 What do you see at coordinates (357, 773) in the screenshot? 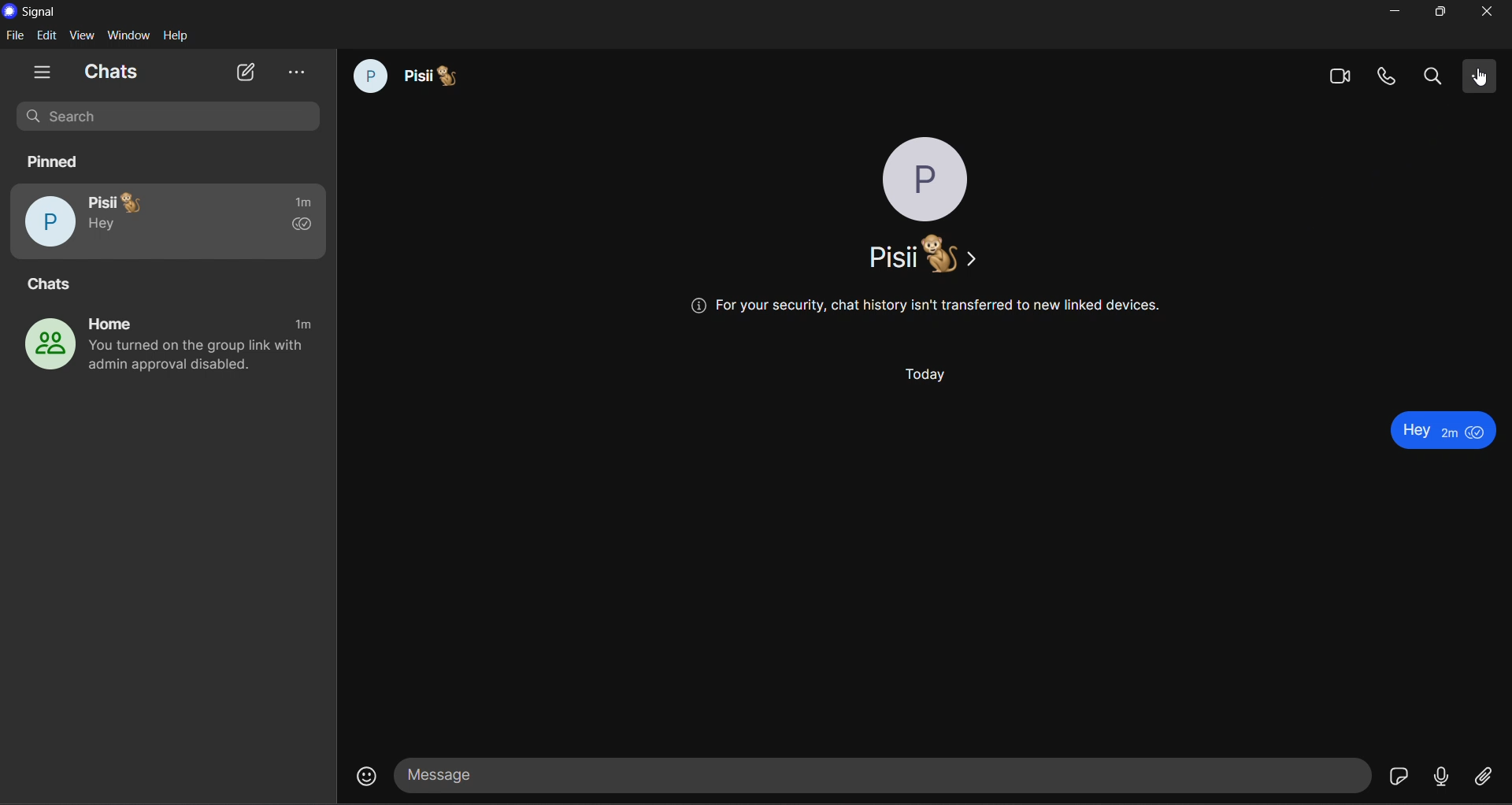
I see `emojis` at bounding box center [357, 773].